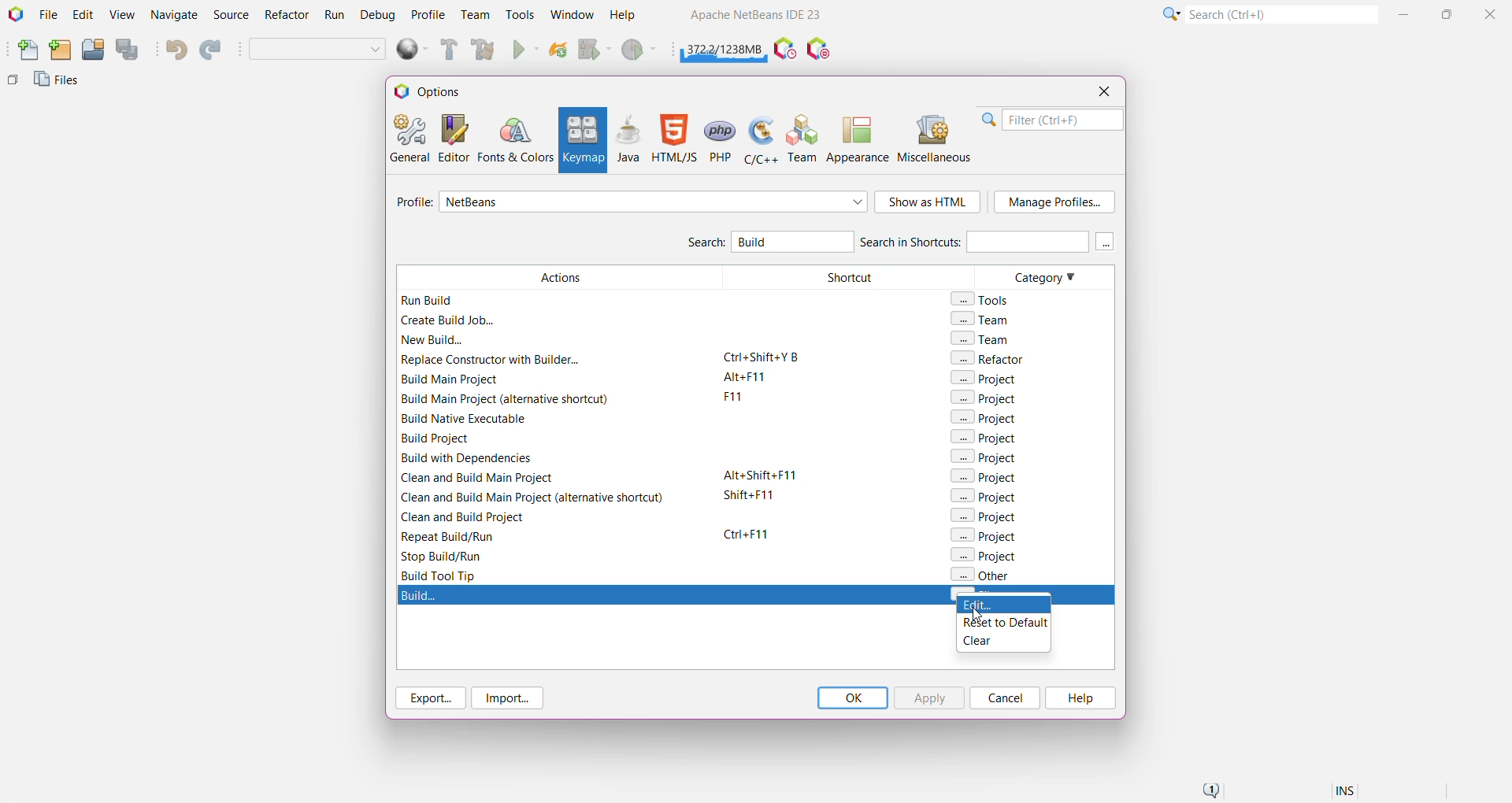 This screenshot has width=1512, height=803. What do you see at coordinates (13, 83) in the screenshot?
I see `` at bounding box center [13, 83].